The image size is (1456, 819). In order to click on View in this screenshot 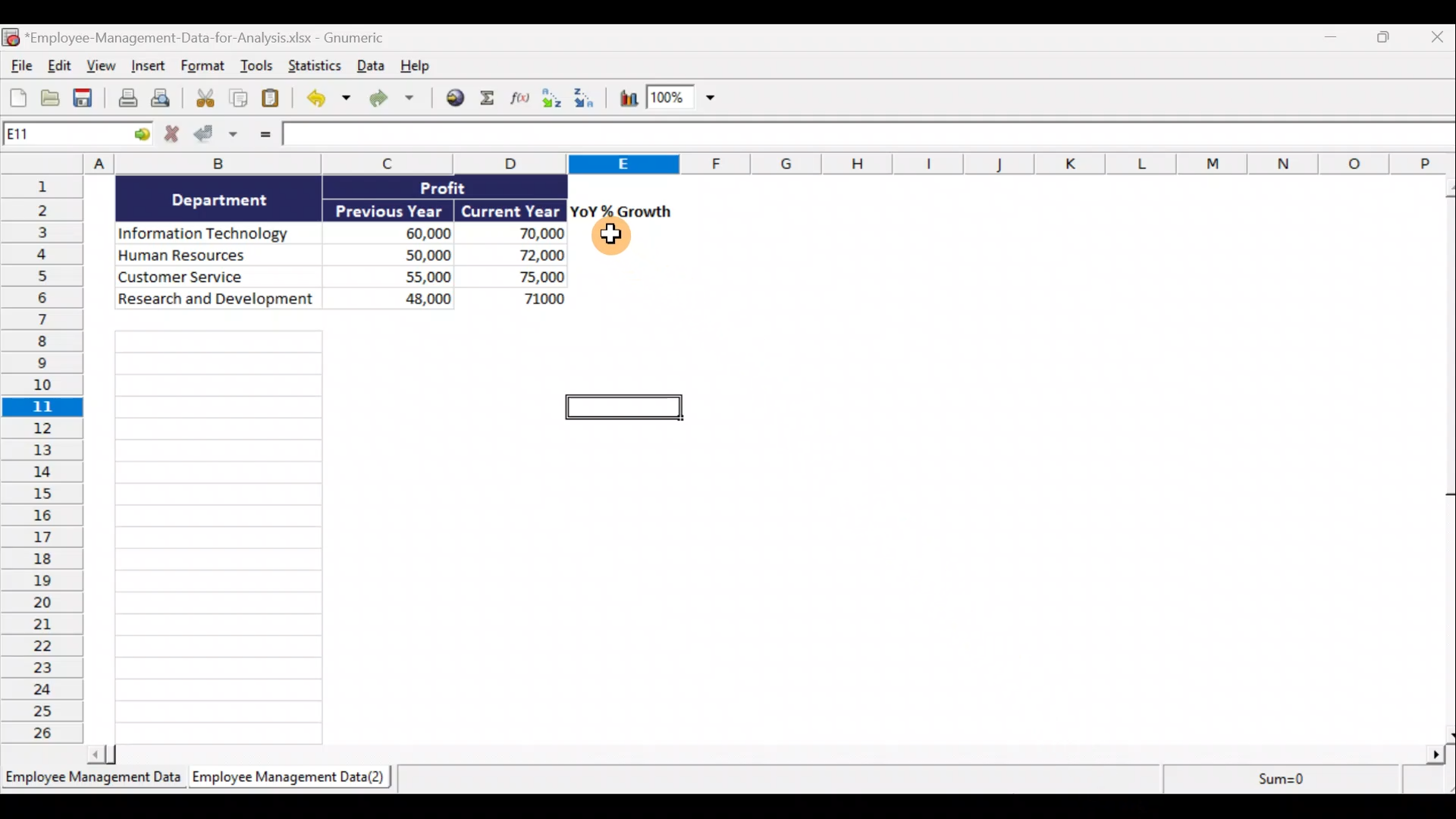, I will do `click(99, 65)`.